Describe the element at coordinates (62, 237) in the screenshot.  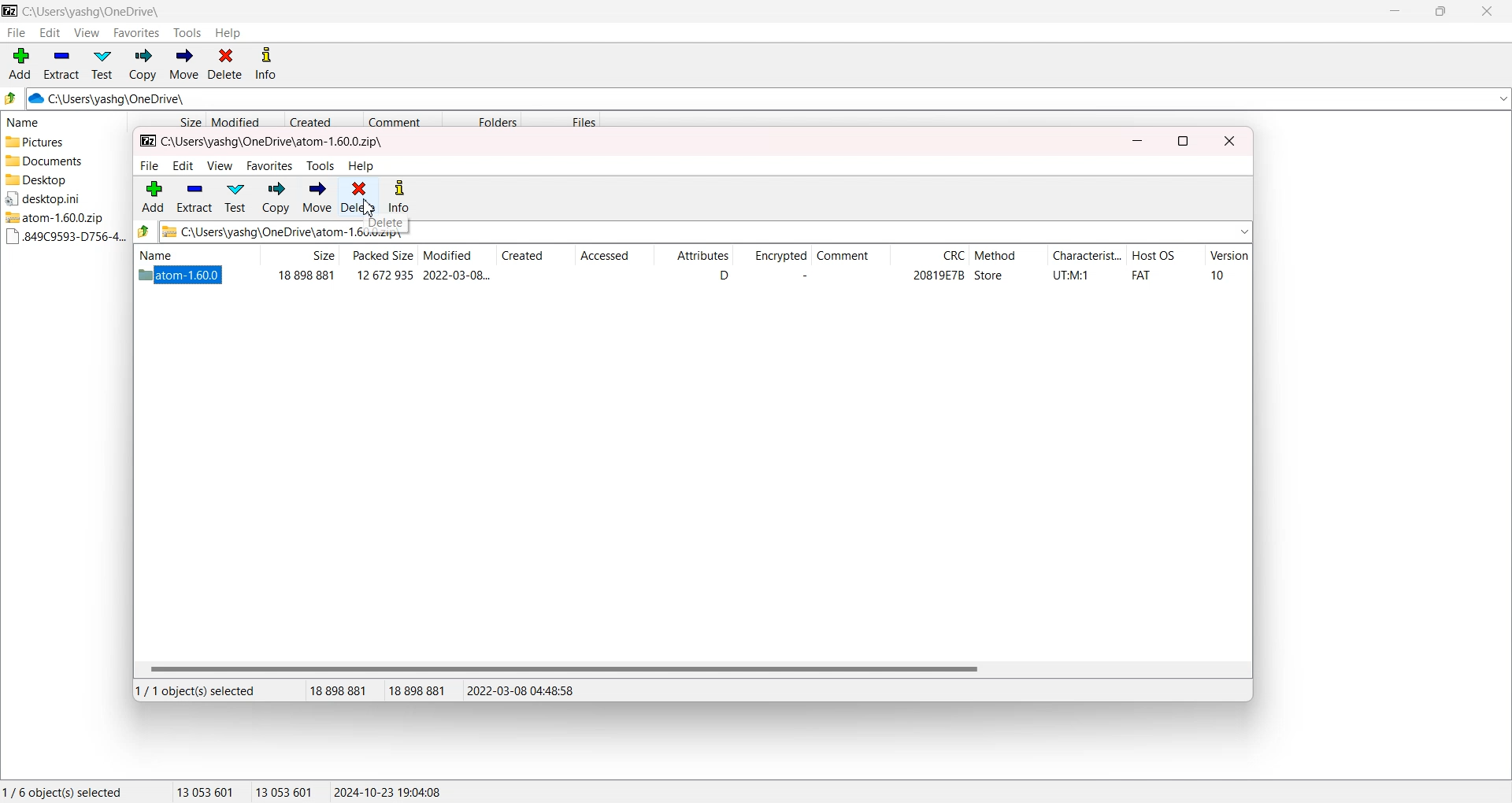
I see `.894c File` at that location.